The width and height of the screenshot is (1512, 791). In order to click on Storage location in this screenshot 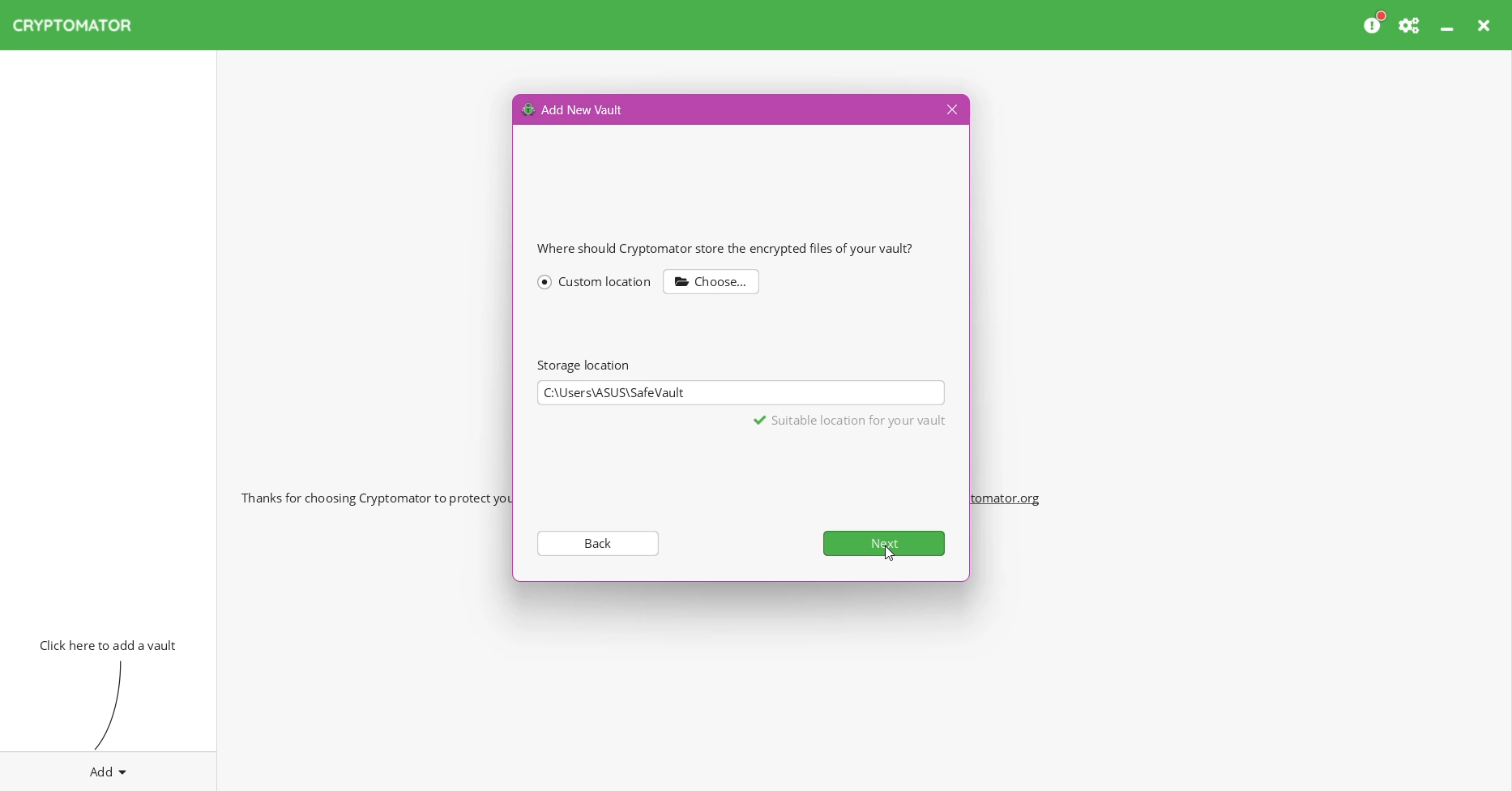, I will do `click(583, 365)`.